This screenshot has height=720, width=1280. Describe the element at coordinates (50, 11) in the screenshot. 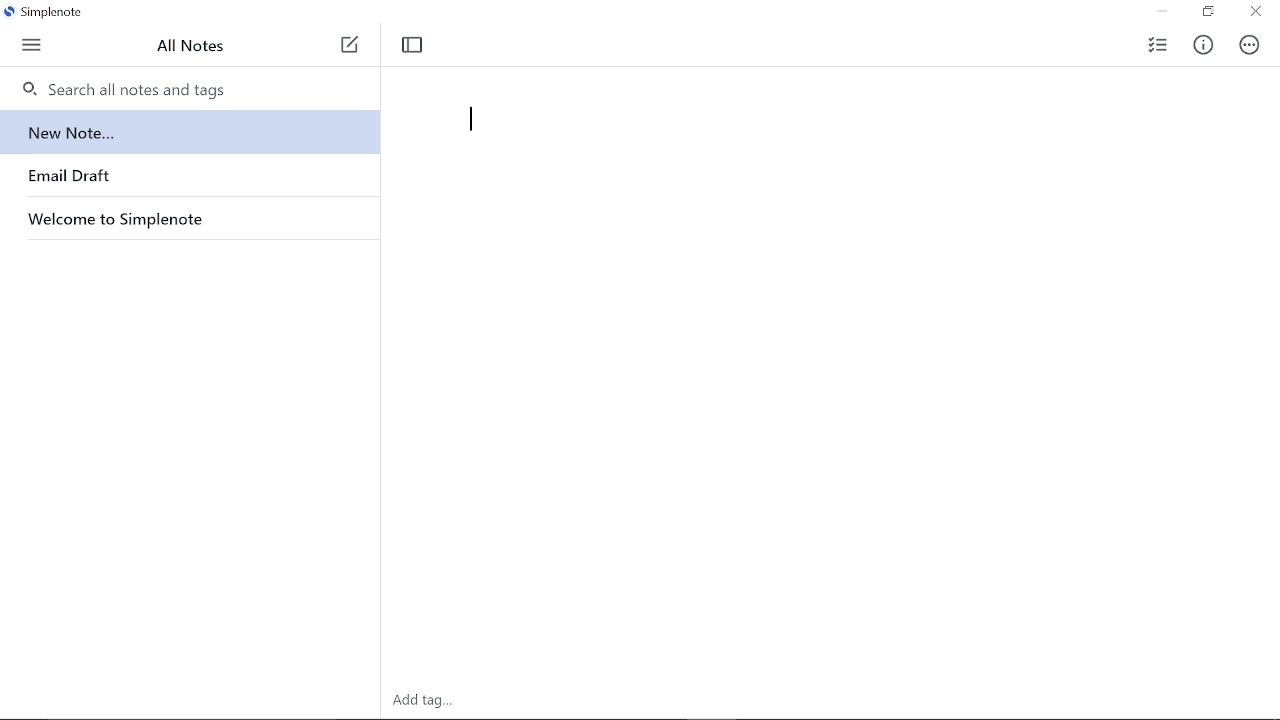

I see `Simplenote` at that location.